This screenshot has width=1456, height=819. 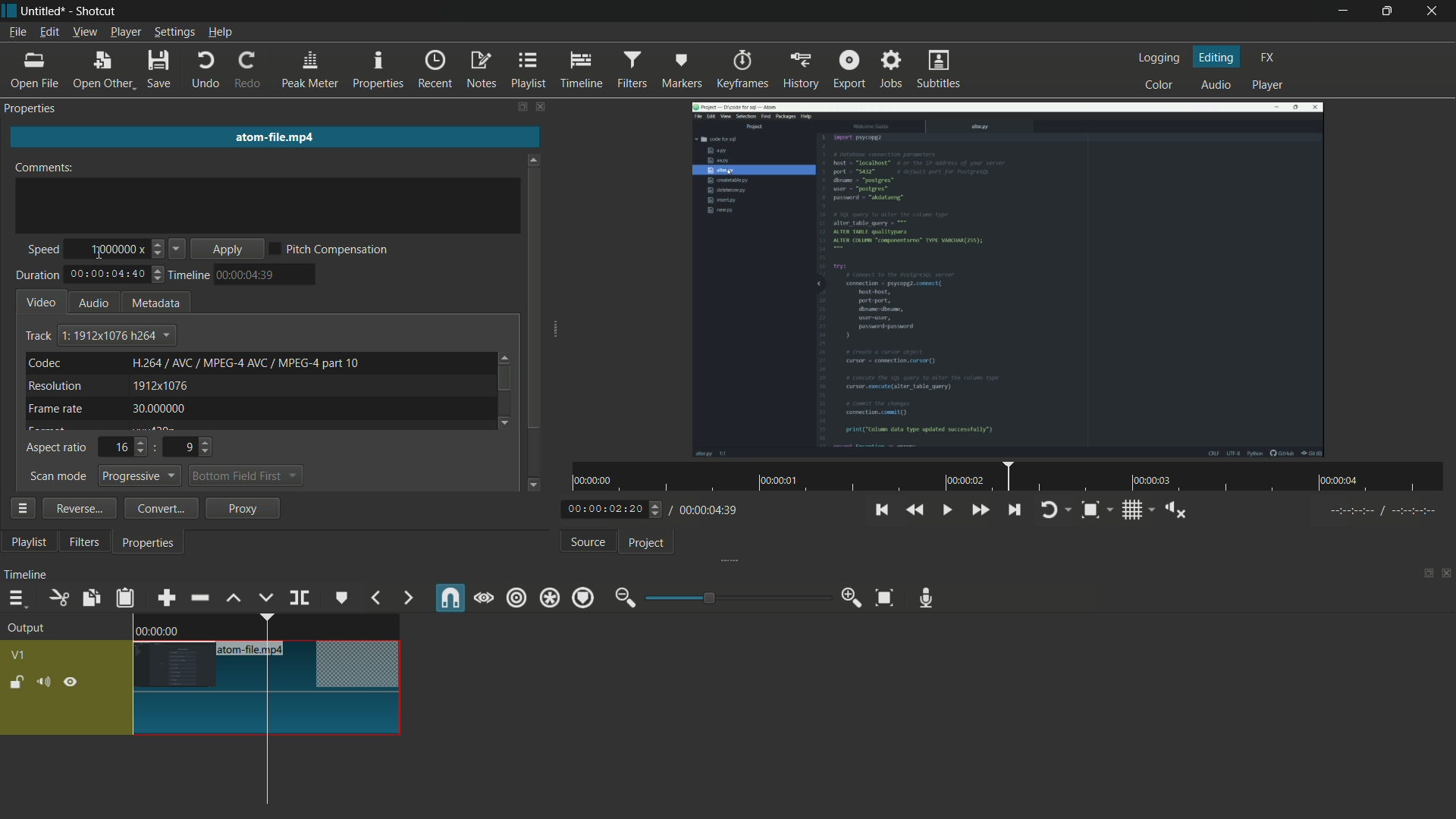 What do you see at coordinates (151, 542) in the screenshot?
I see `properties` at bounding box center [151, 542].